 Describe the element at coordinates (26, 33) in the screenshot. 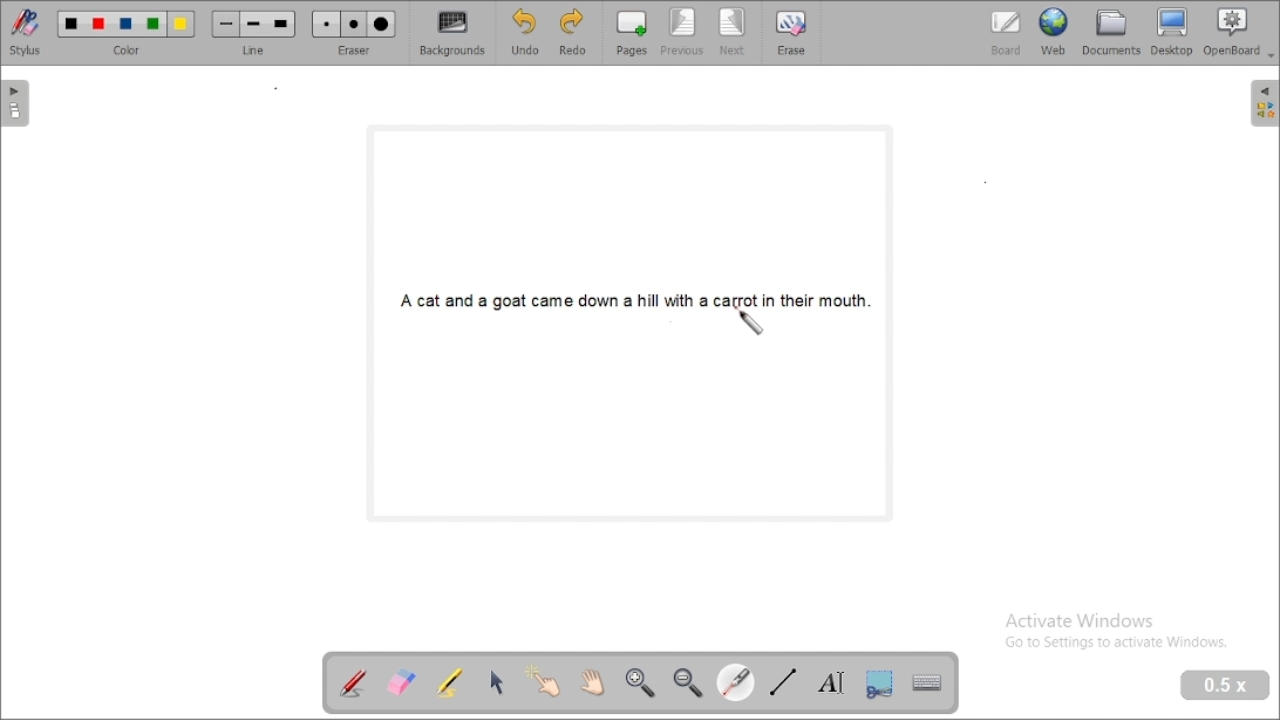

I see `stylus` at that location.